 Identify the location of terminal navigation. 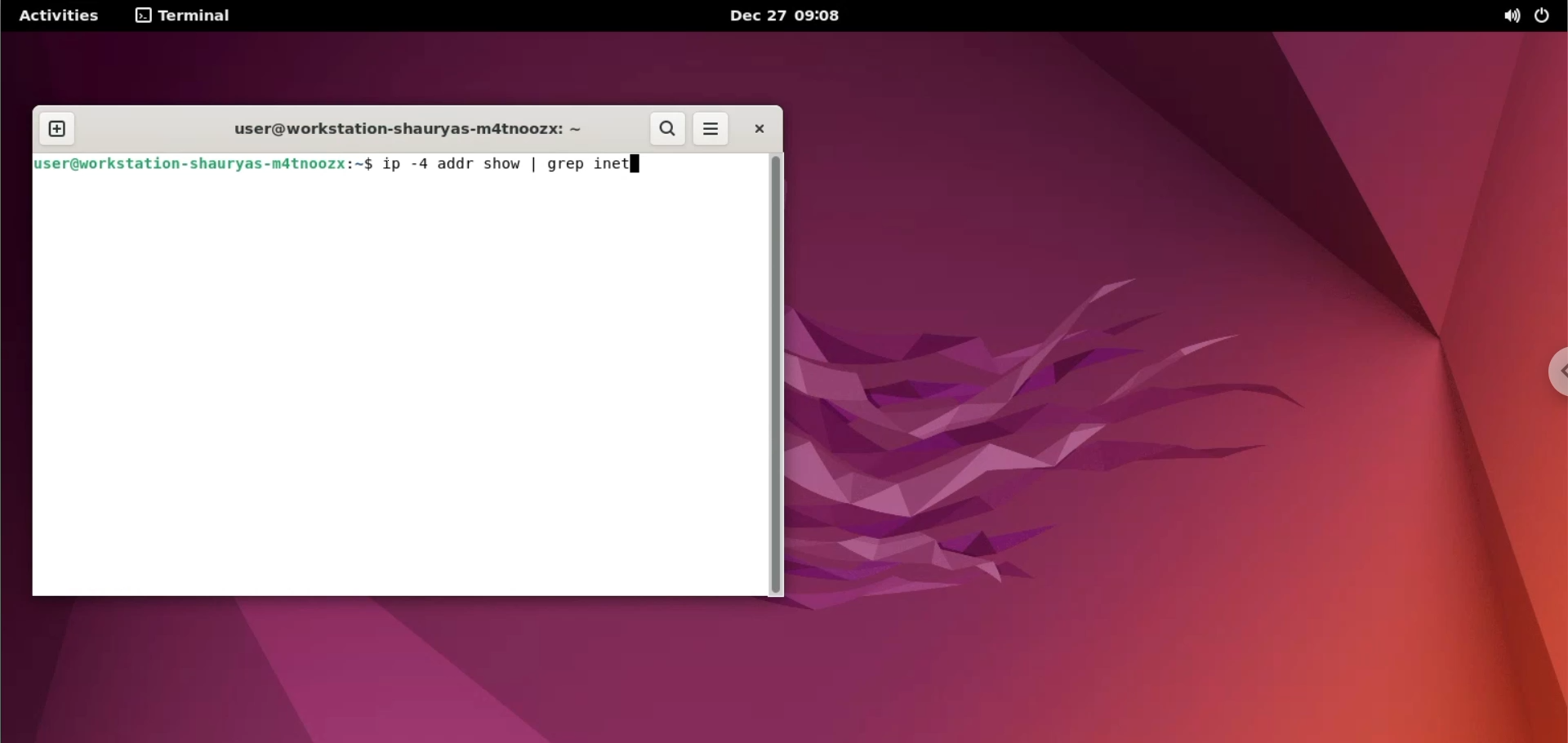
(194, 17).